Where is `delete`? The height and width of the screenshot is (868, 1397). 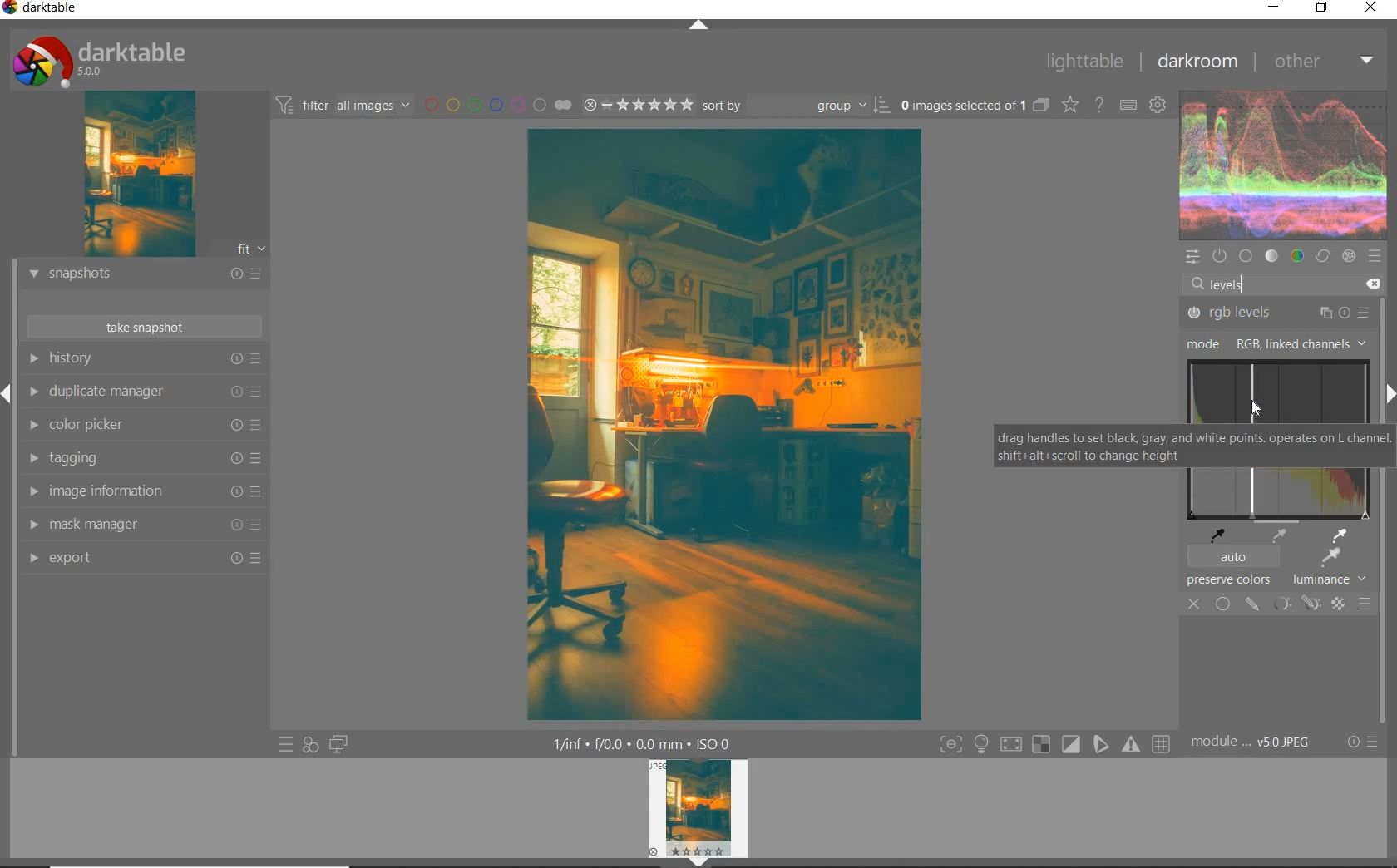 delete is located at coordinates (1374, 284).